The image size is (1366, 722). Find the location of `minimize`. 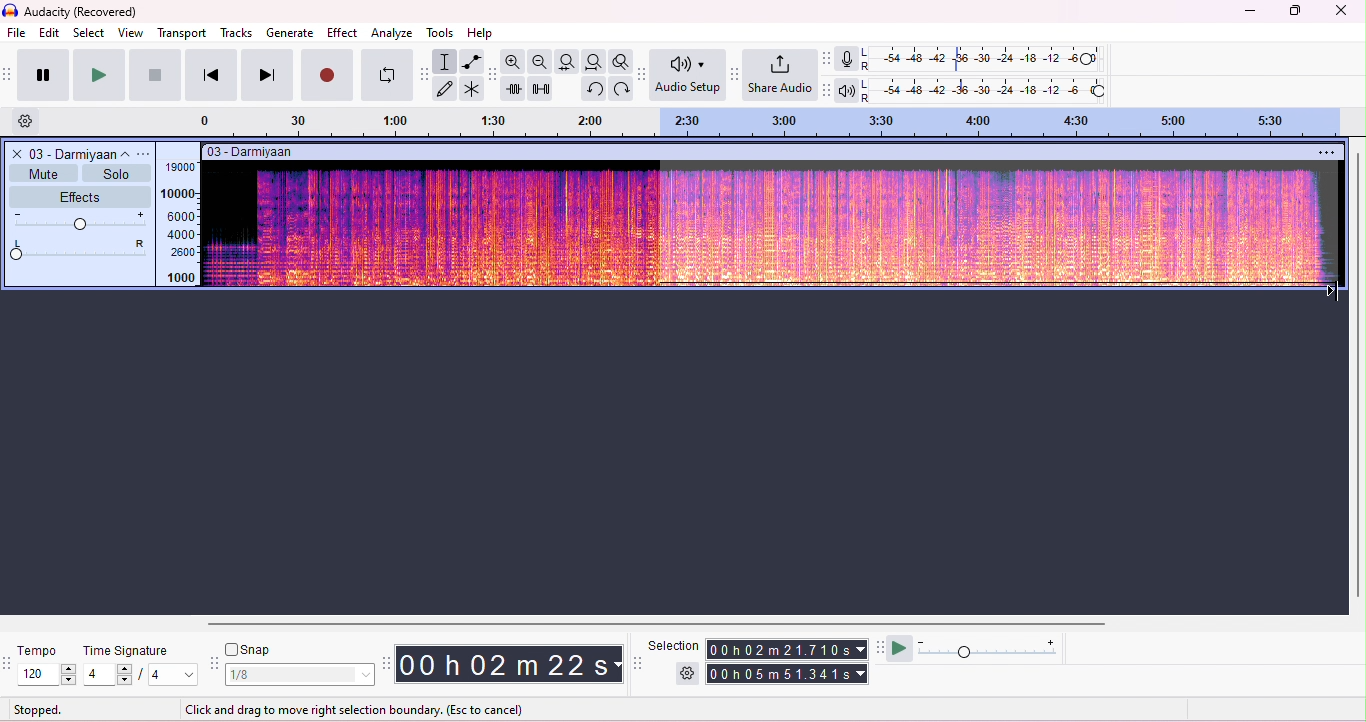

minimize is located at coordinates (1247, 13).